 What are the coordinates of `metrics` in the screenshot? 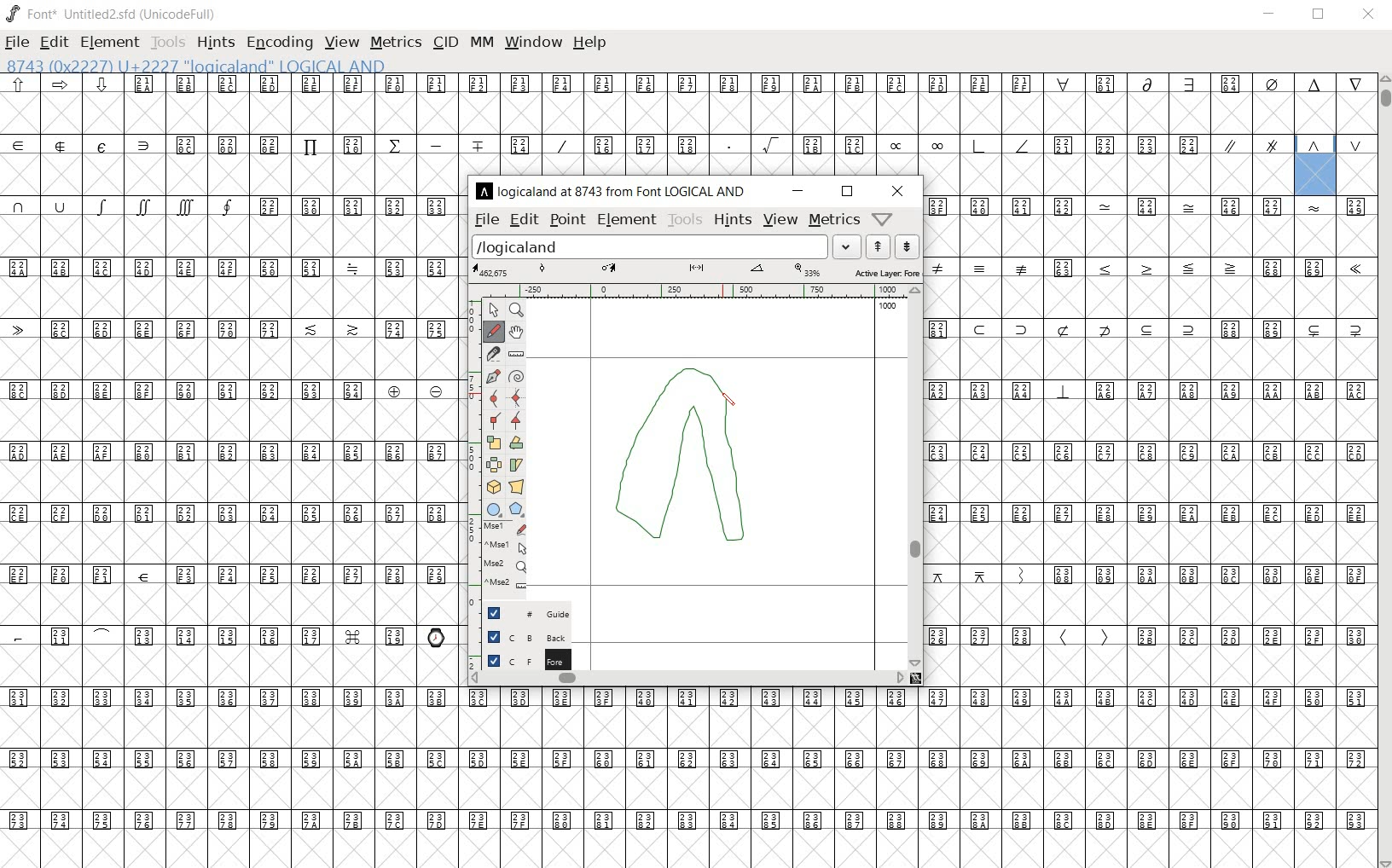 It's located at (396, 42).